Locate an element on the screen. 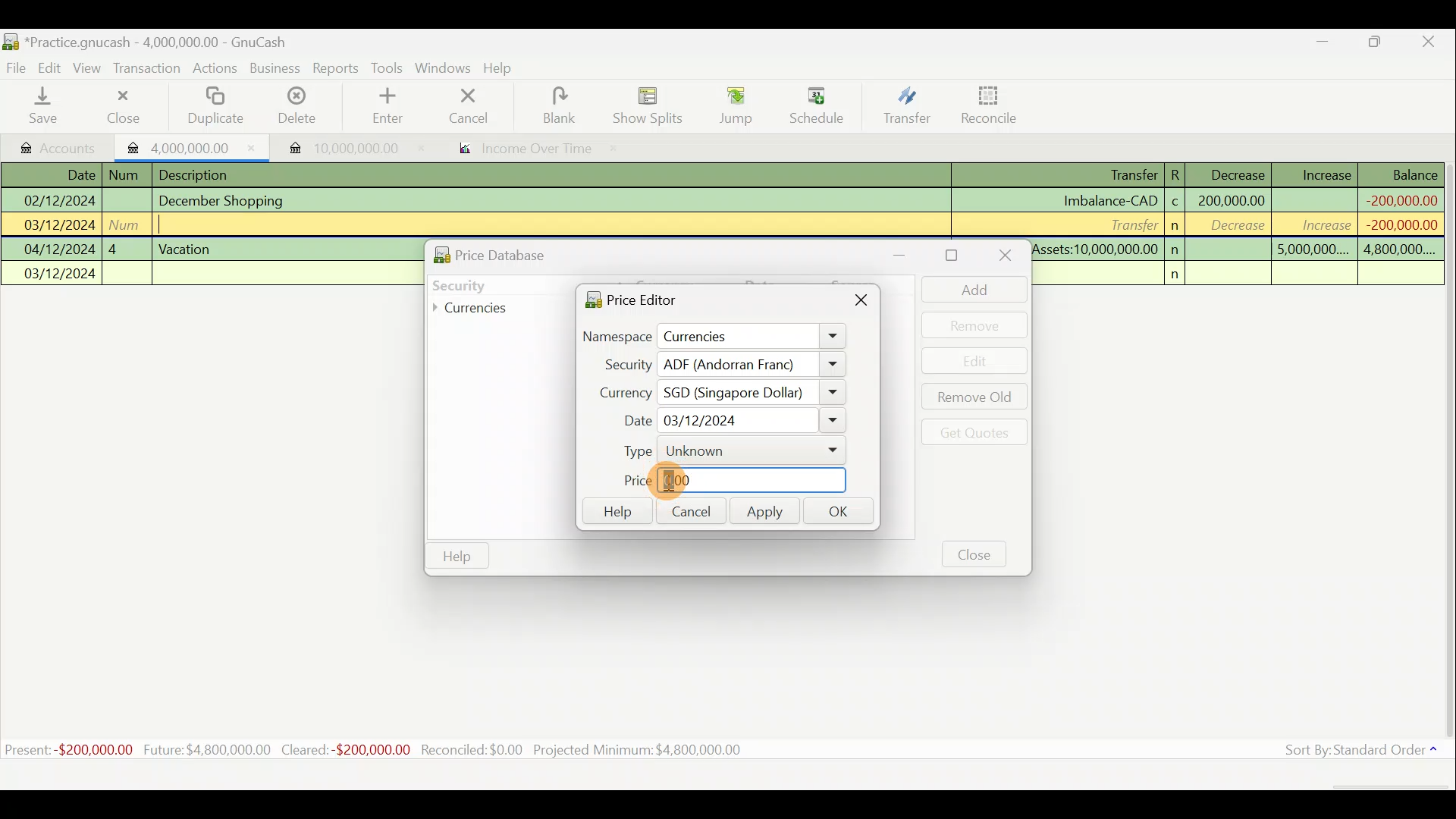 The image size is (1456, 819). Vacation is located at coordinates (187, 247).